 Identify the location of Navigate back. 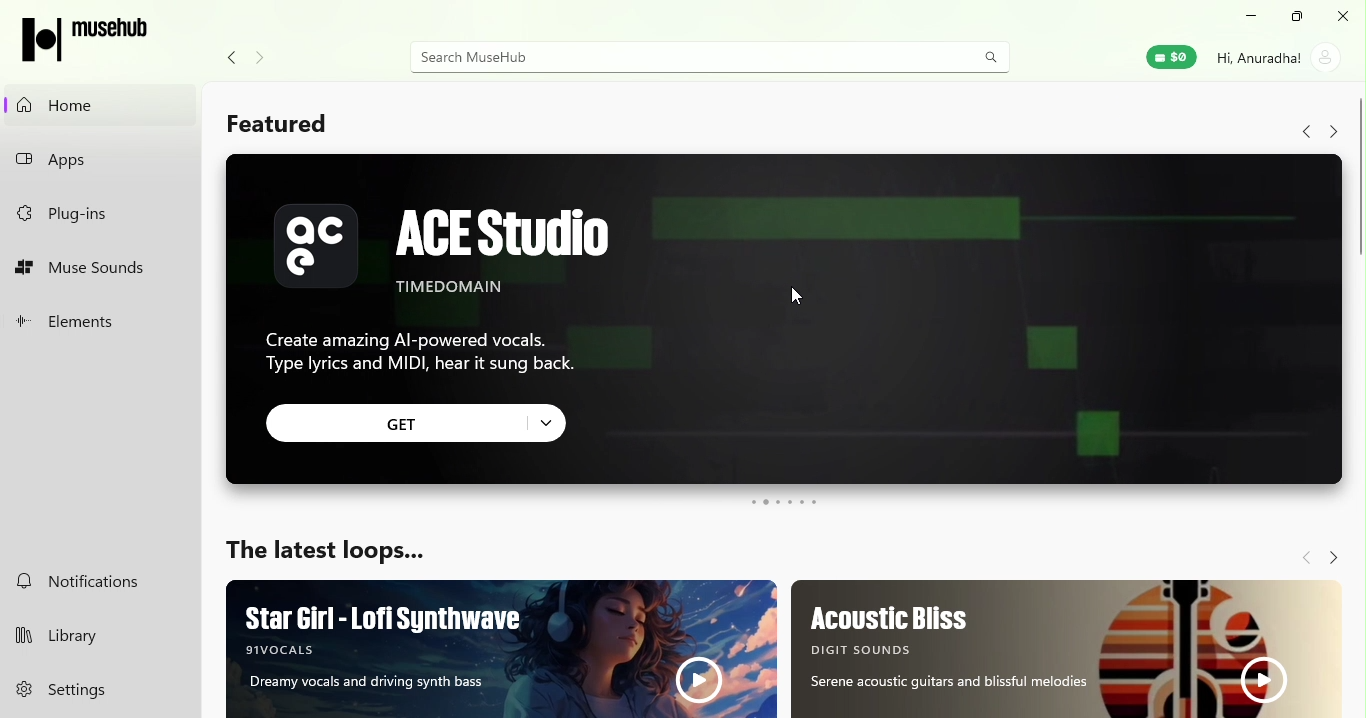
(1299, 134).